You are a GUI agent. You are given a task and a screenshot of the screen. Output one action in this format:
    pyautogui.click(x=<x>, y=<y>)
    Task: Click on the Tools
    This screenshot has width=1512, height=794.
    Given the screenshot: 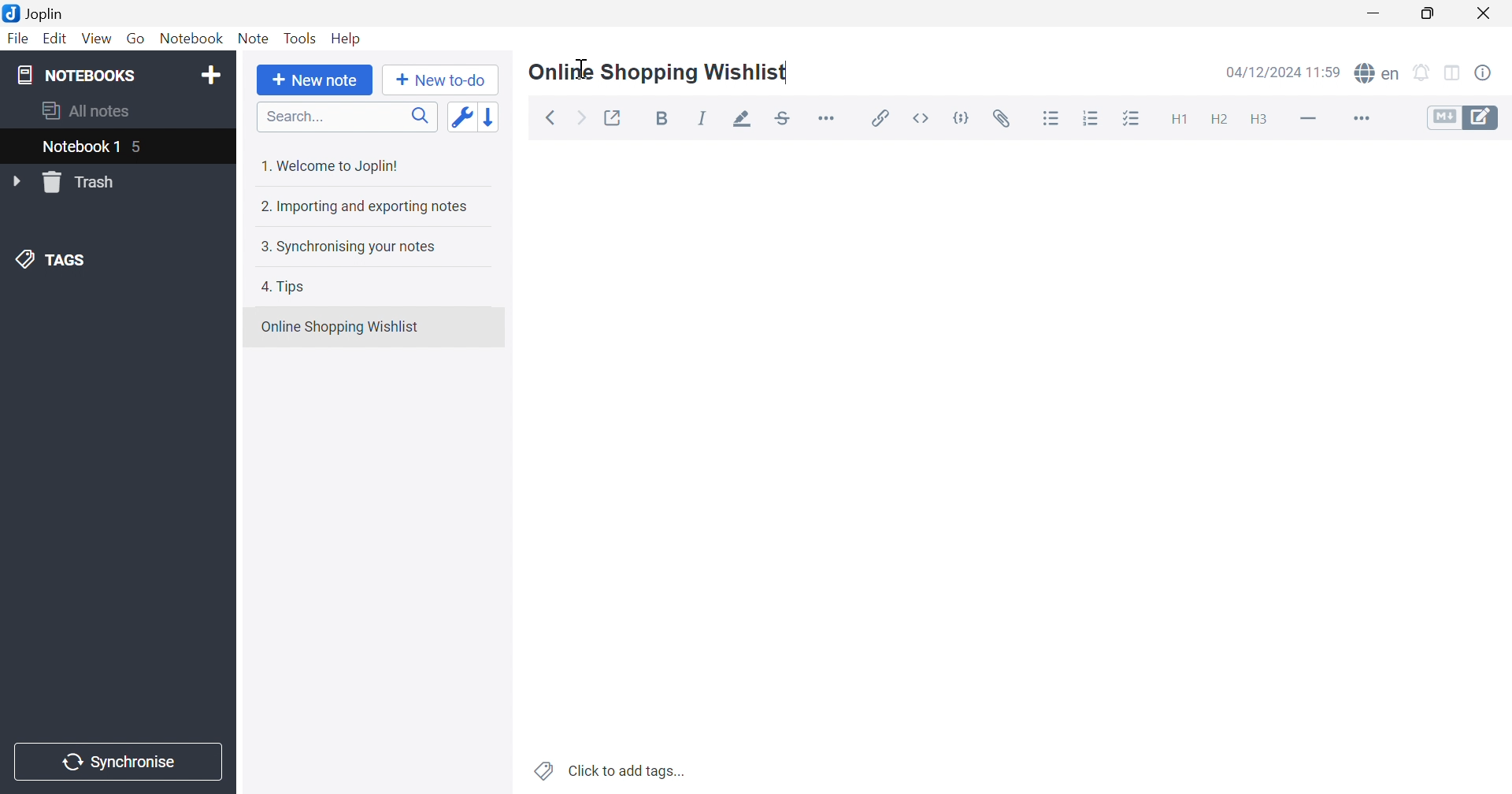 What is the action you would take?
    pyautogui.click(x=301, y=38)
    